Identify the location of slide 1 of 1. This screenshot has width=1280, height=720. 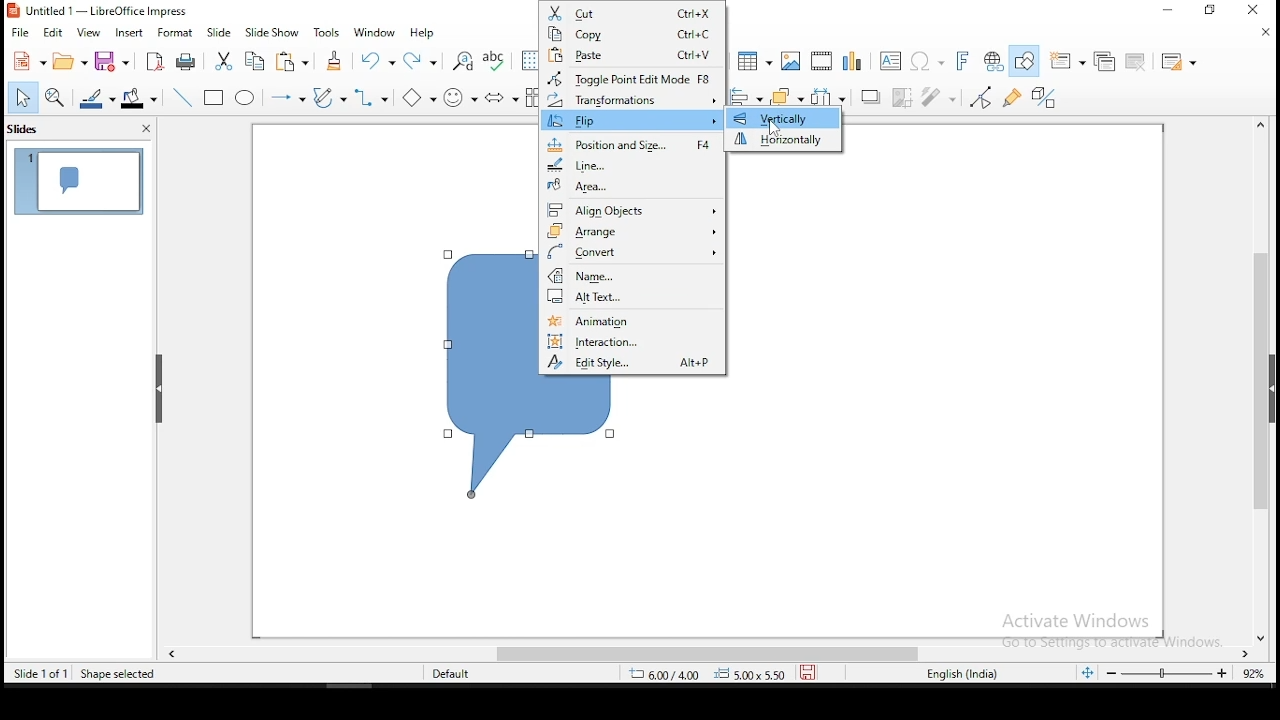
(36, 674).